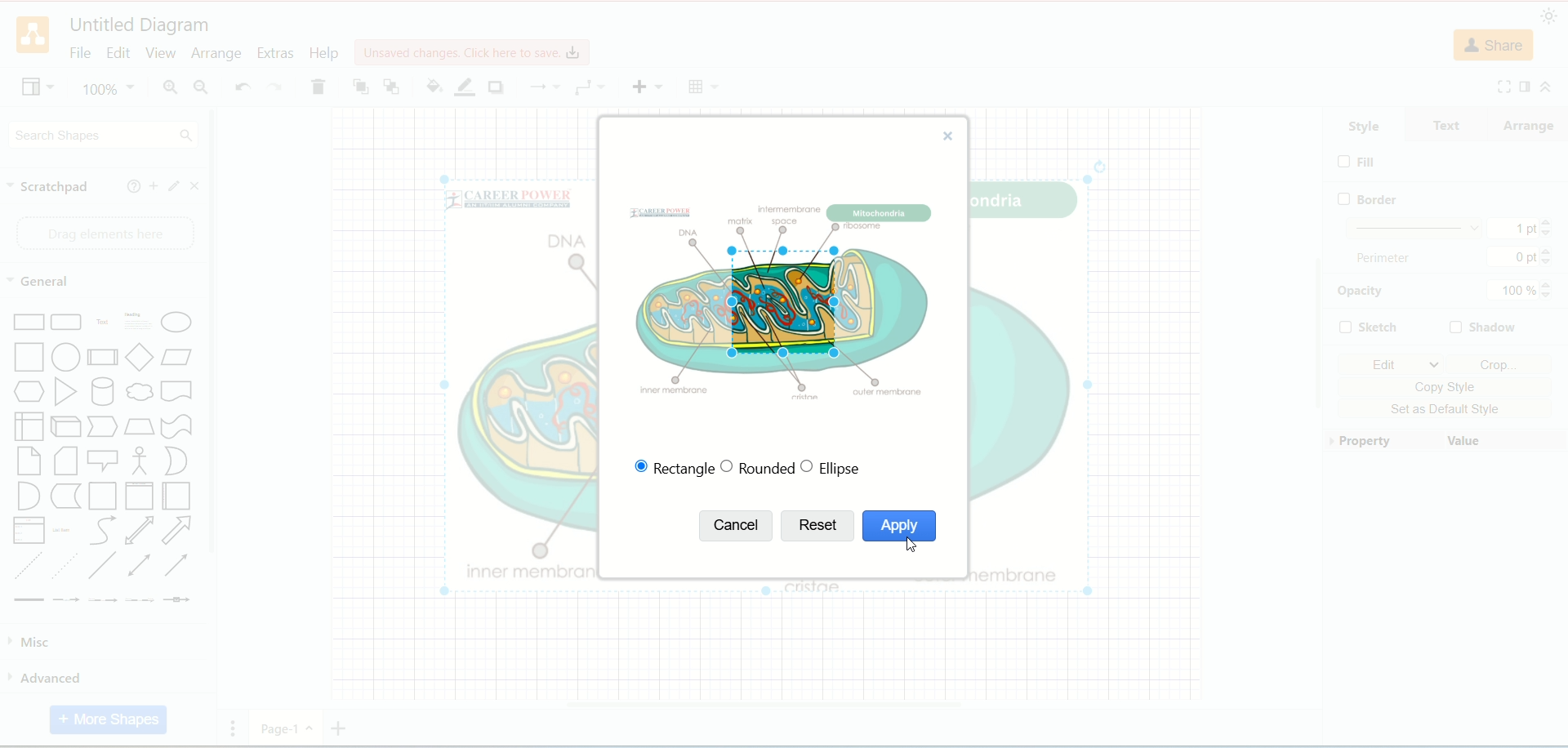 Image resolution: width=1568 pixels, height=748 pixels. Describe the element at coordinates (816, 526) in the screenshot. I see `reset` at that location.